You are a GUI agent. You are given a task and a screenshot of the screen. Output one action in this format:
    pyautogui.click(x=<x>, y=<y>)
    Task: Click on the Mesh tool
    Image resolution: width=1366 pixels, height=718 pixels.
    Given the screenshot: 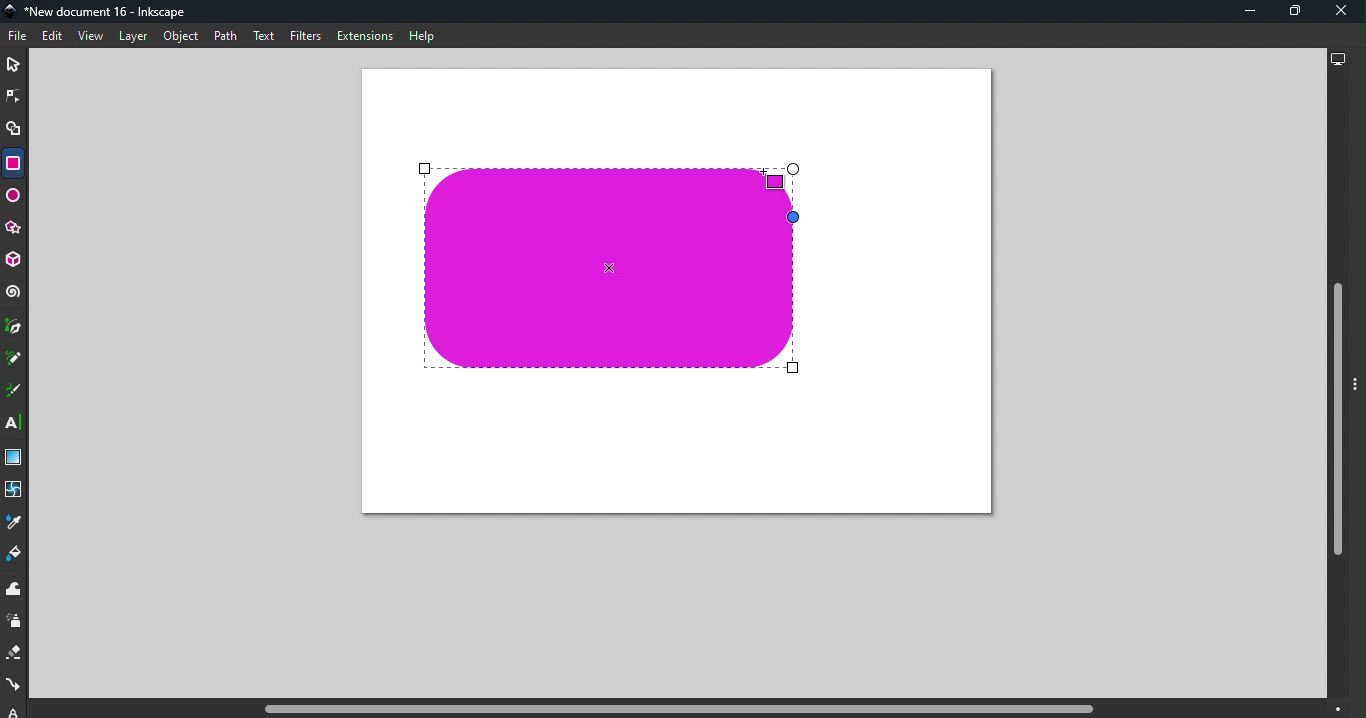 What is the action you would take?
    pyautogui.click(x=15, y=491)
    